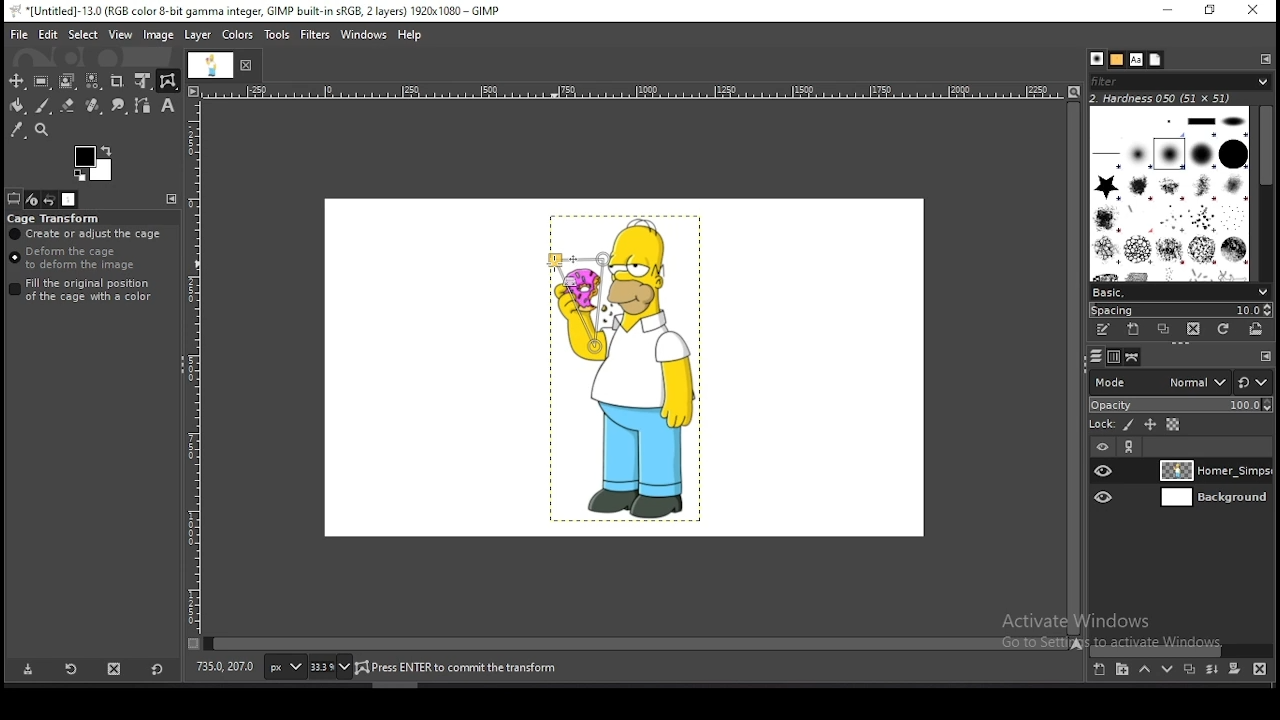 This screenshot has width=1280, height=720. Describe the element at coordinates (1123, 670) in the screenshot. I see `create a new layer group` at that location.